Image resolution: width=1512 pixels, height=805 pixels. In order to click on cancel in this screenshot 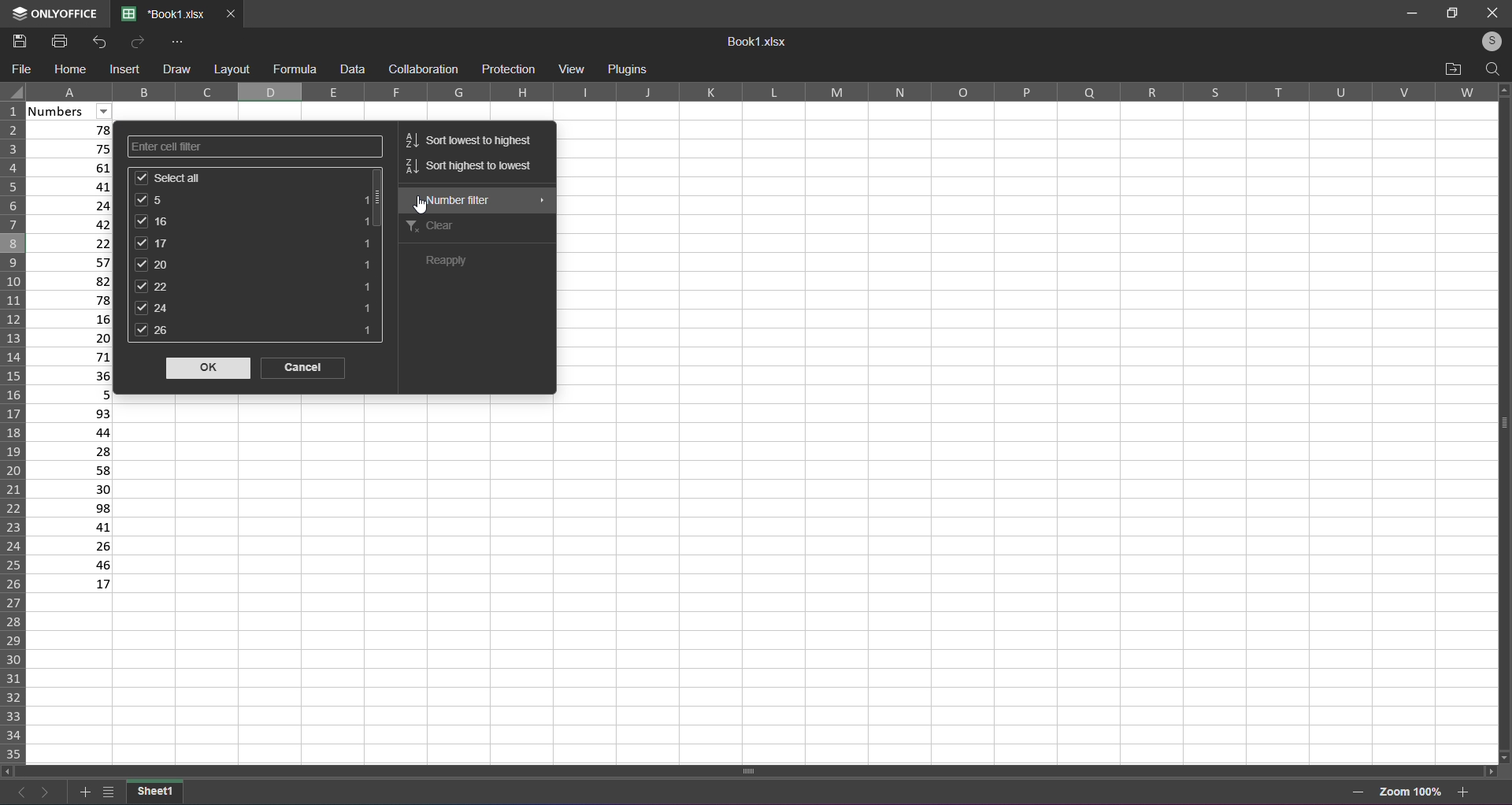, I will do `click(306, 369)`.